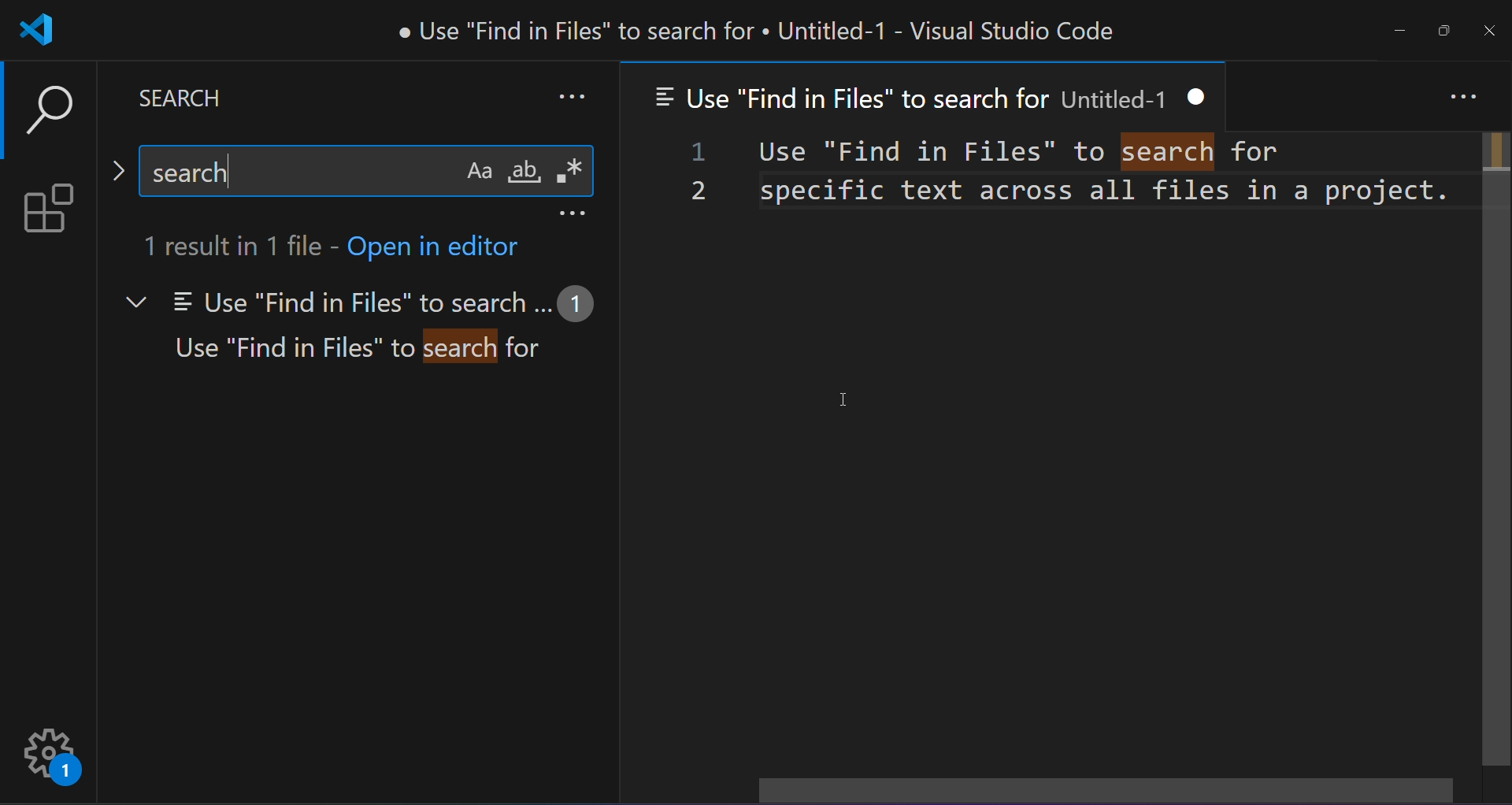 The height and width of the screenshot is (805, 1512). What do you see at coordinates (837, 395) in the screenshot?
I see `cursor` at bounding box center [837, 395].